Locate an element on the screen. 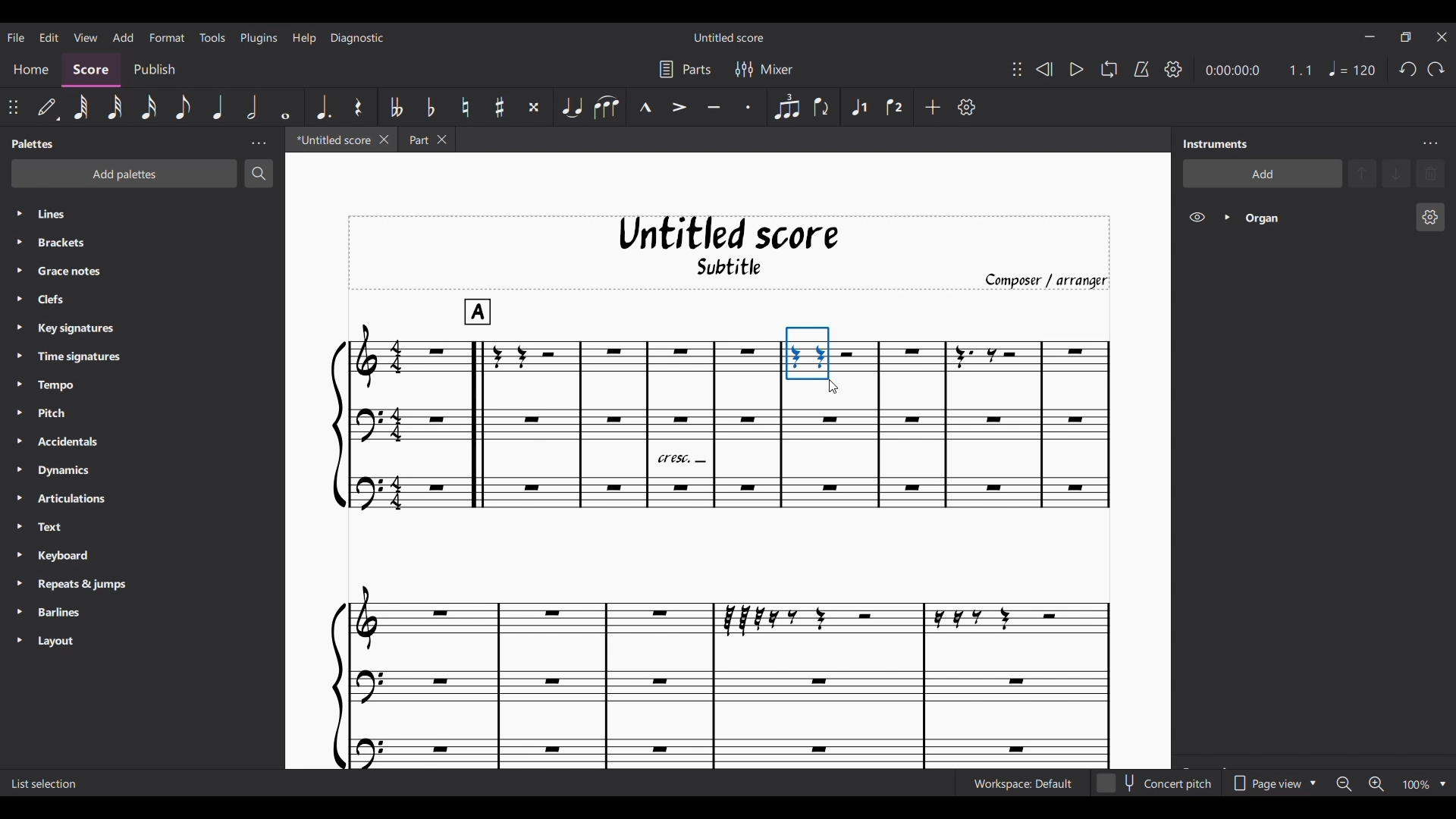  Current tab, highlighted is located at coordinates (332, 140).